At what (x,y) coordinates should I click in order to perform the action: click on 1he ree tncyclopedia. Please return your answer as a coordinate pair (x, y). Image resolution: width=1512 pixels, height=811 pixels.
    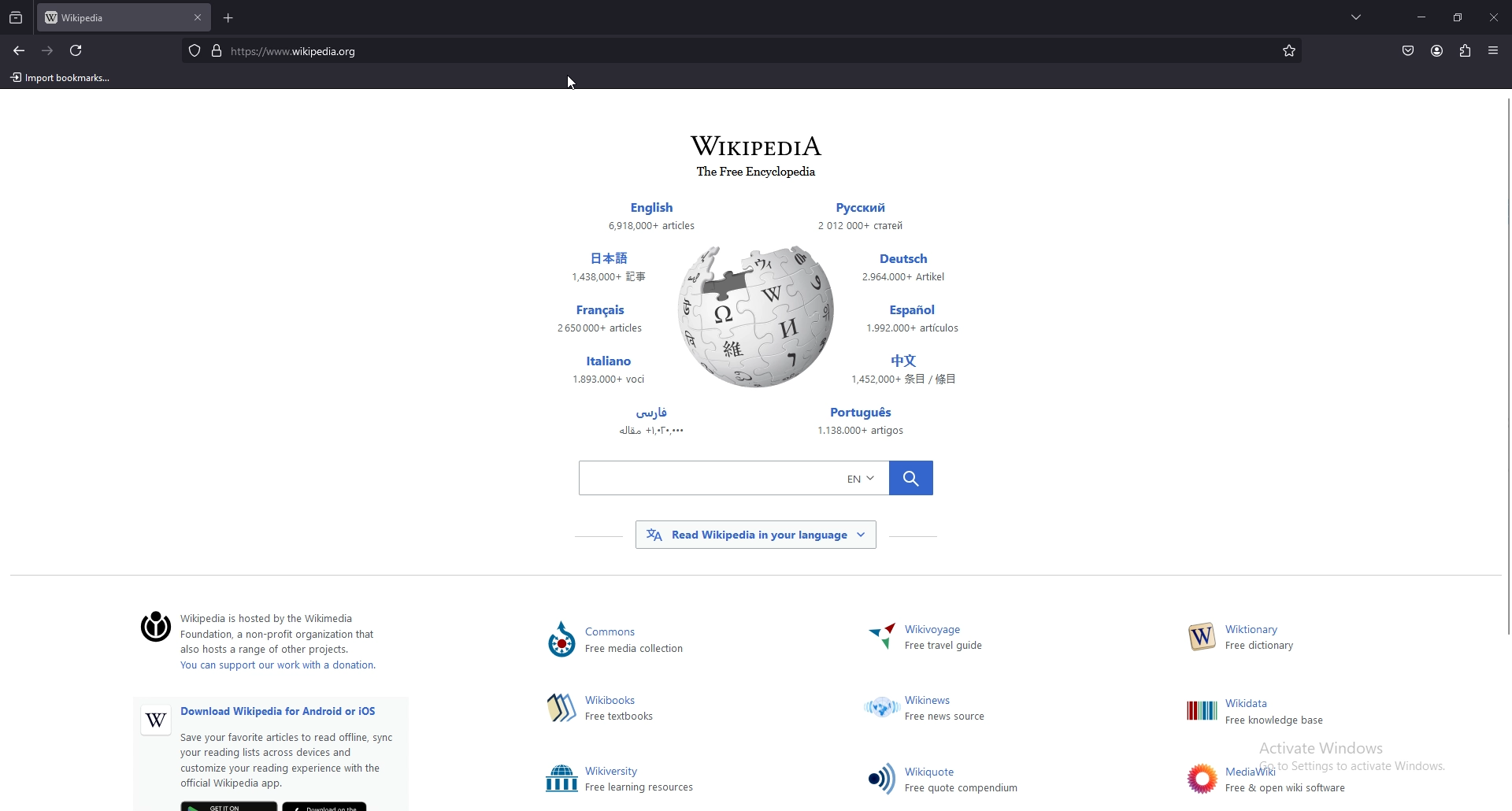
    Looking at the image, I should click on (758, 172).